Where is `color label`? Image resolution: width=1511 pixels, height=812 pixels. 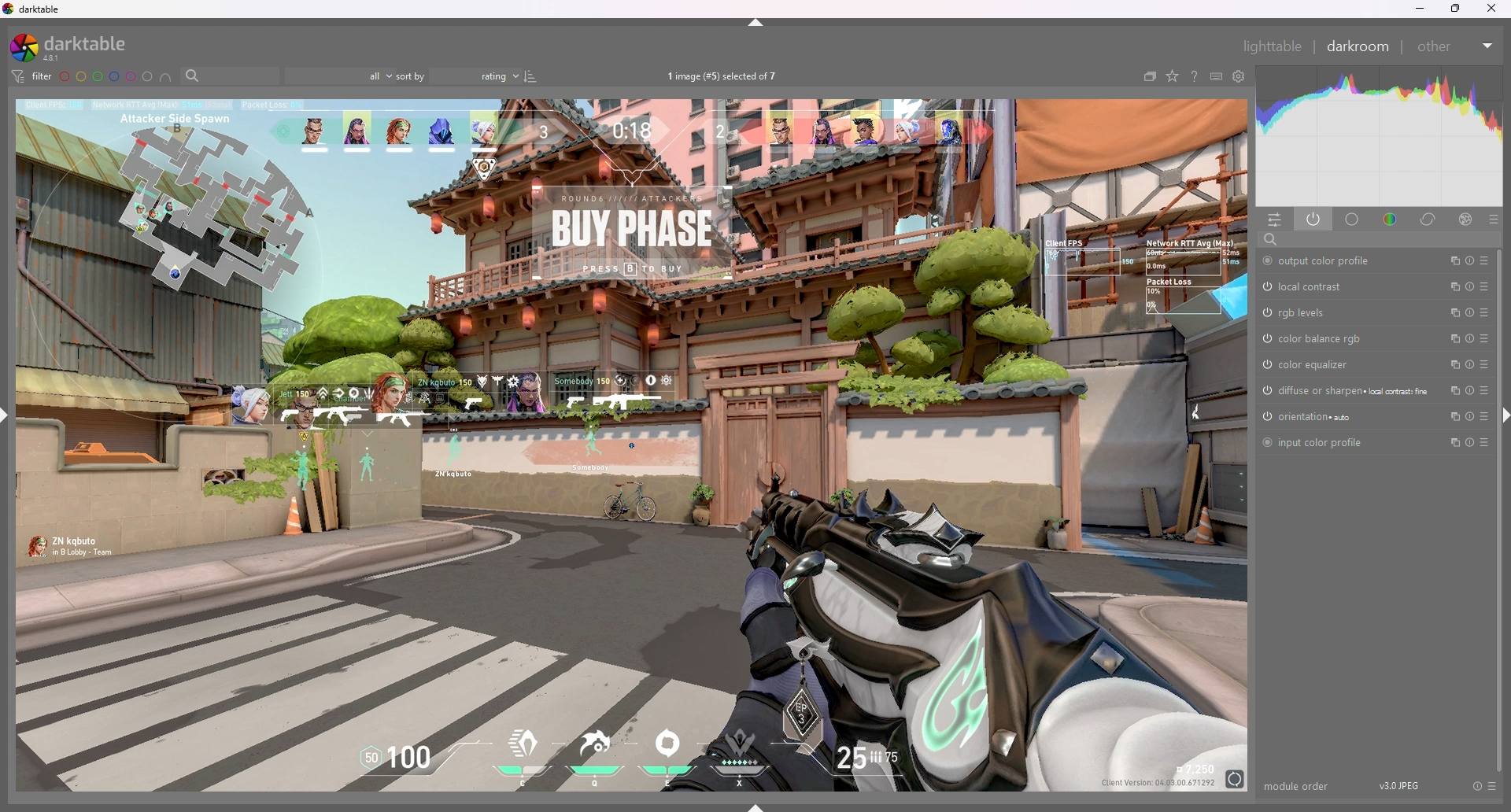 color label is located at coordinates (105, 76).